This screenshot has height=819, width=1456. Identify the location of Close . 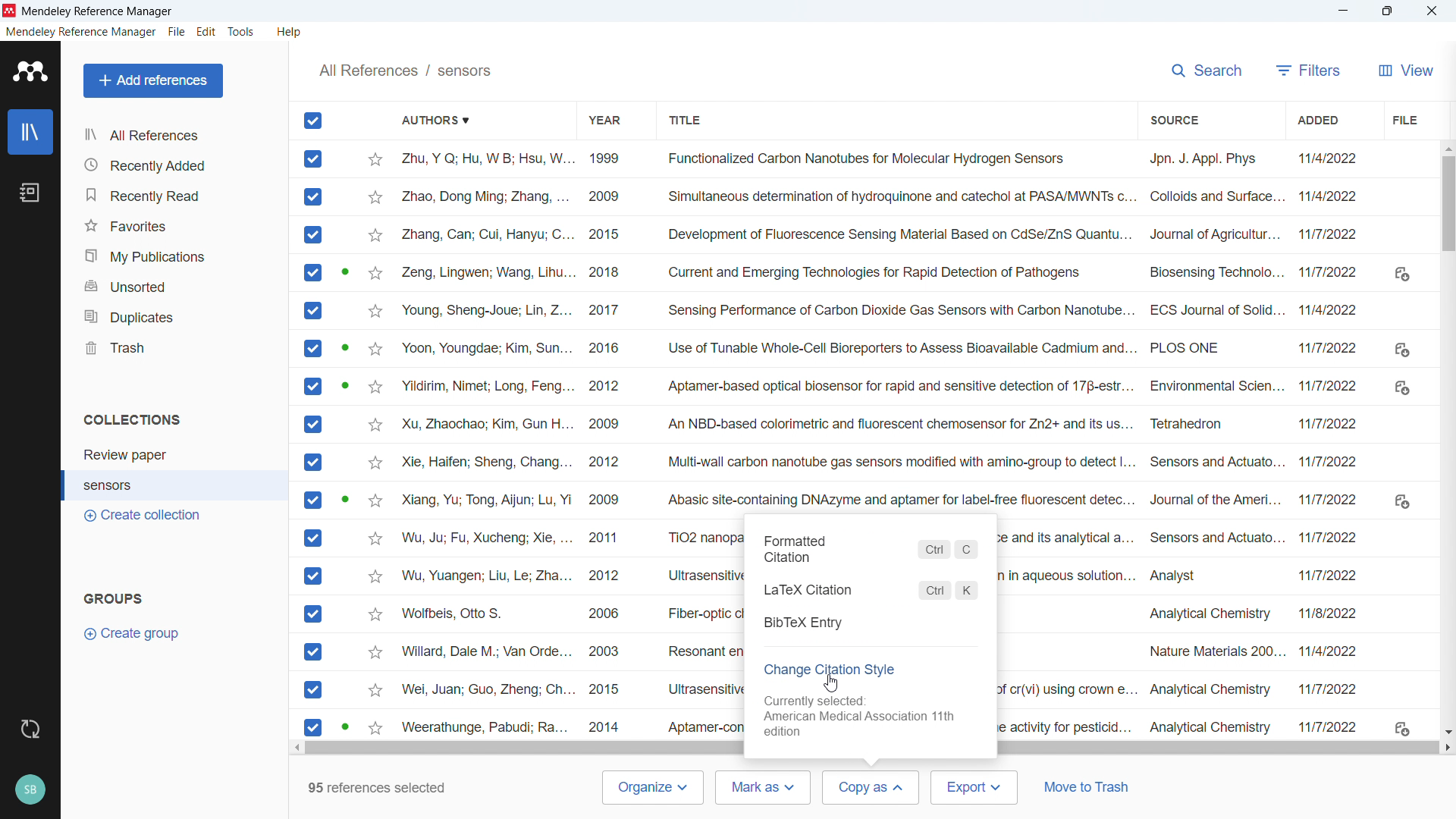
(1430, 10).